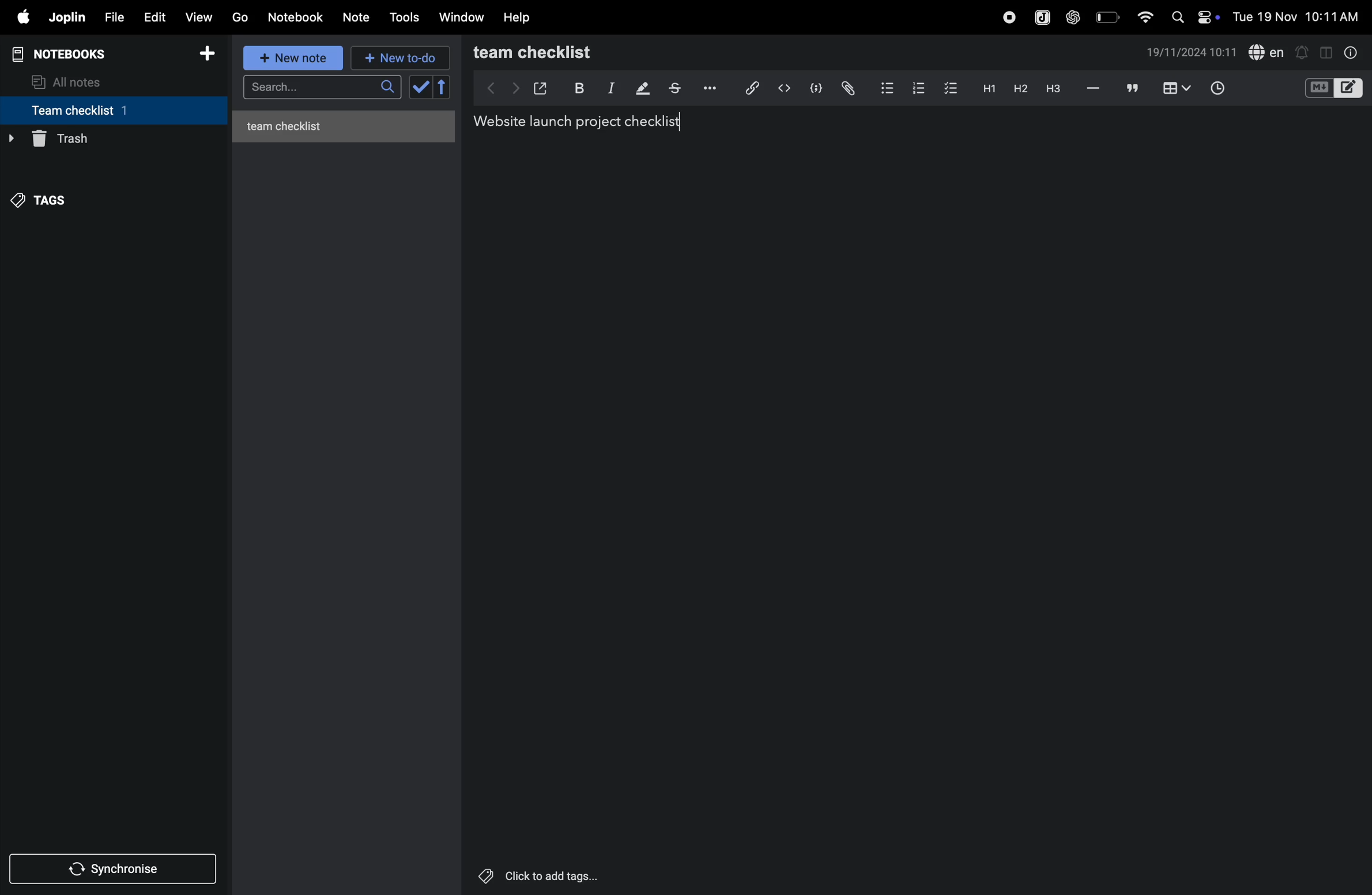  I want to click on search, so click(1177, 17).